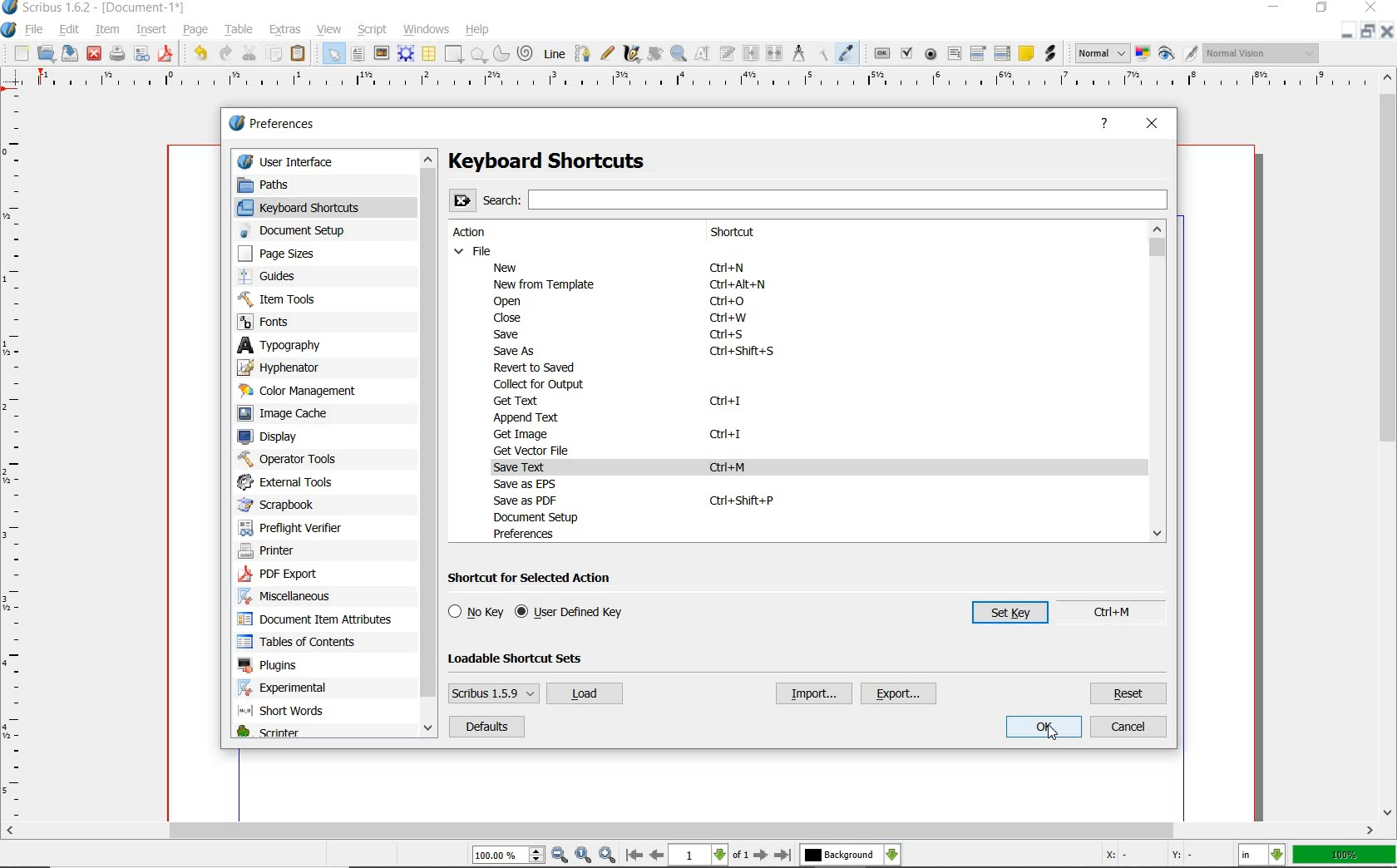  I want to click on save, so click(511, 333).